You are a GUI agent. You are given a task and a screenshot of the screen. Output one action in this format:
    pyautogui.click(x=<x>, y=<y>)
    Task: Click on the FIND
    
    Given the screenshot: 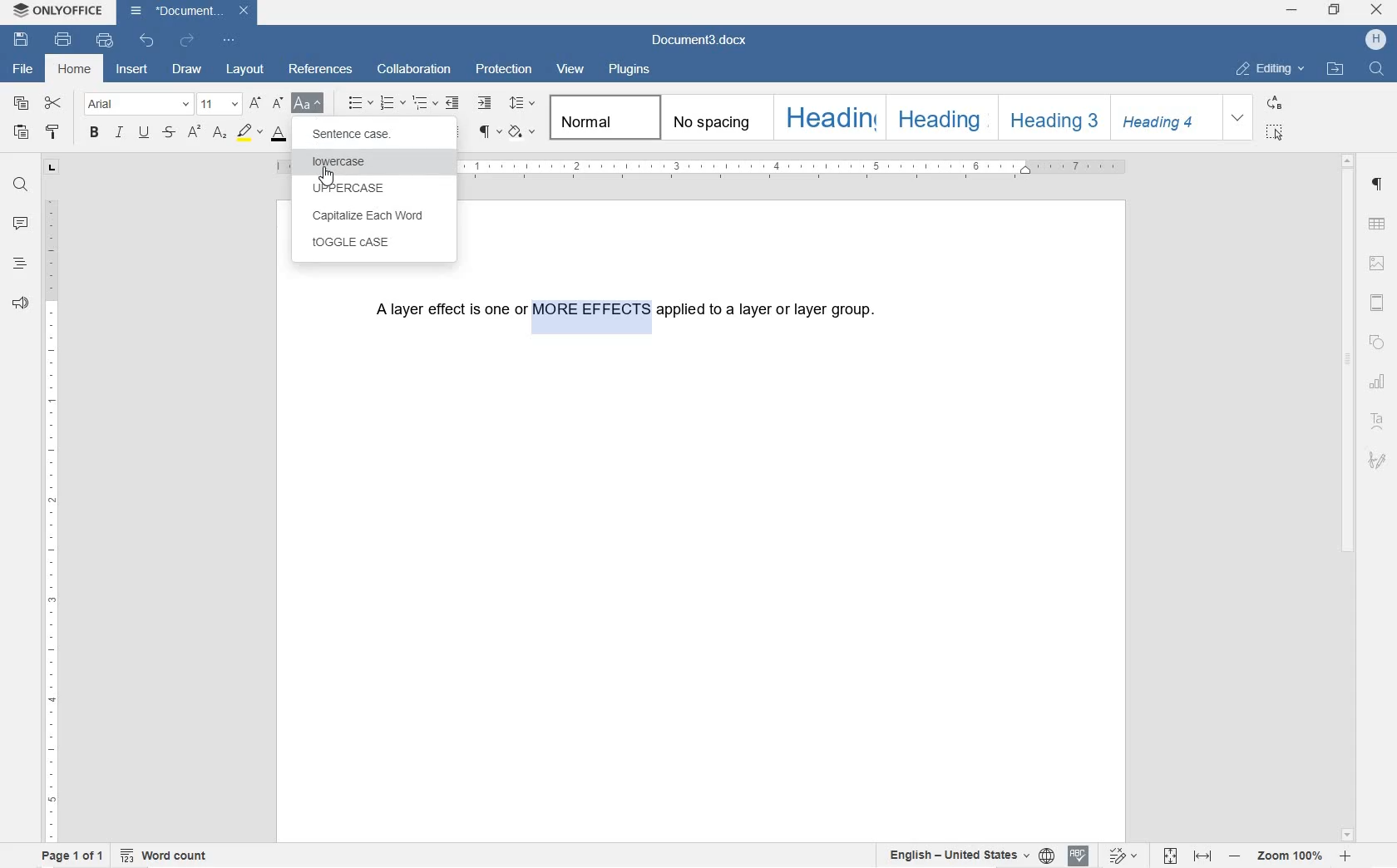 What is the action you would take?
    pyautogui.click(x=1375, y=68)
    